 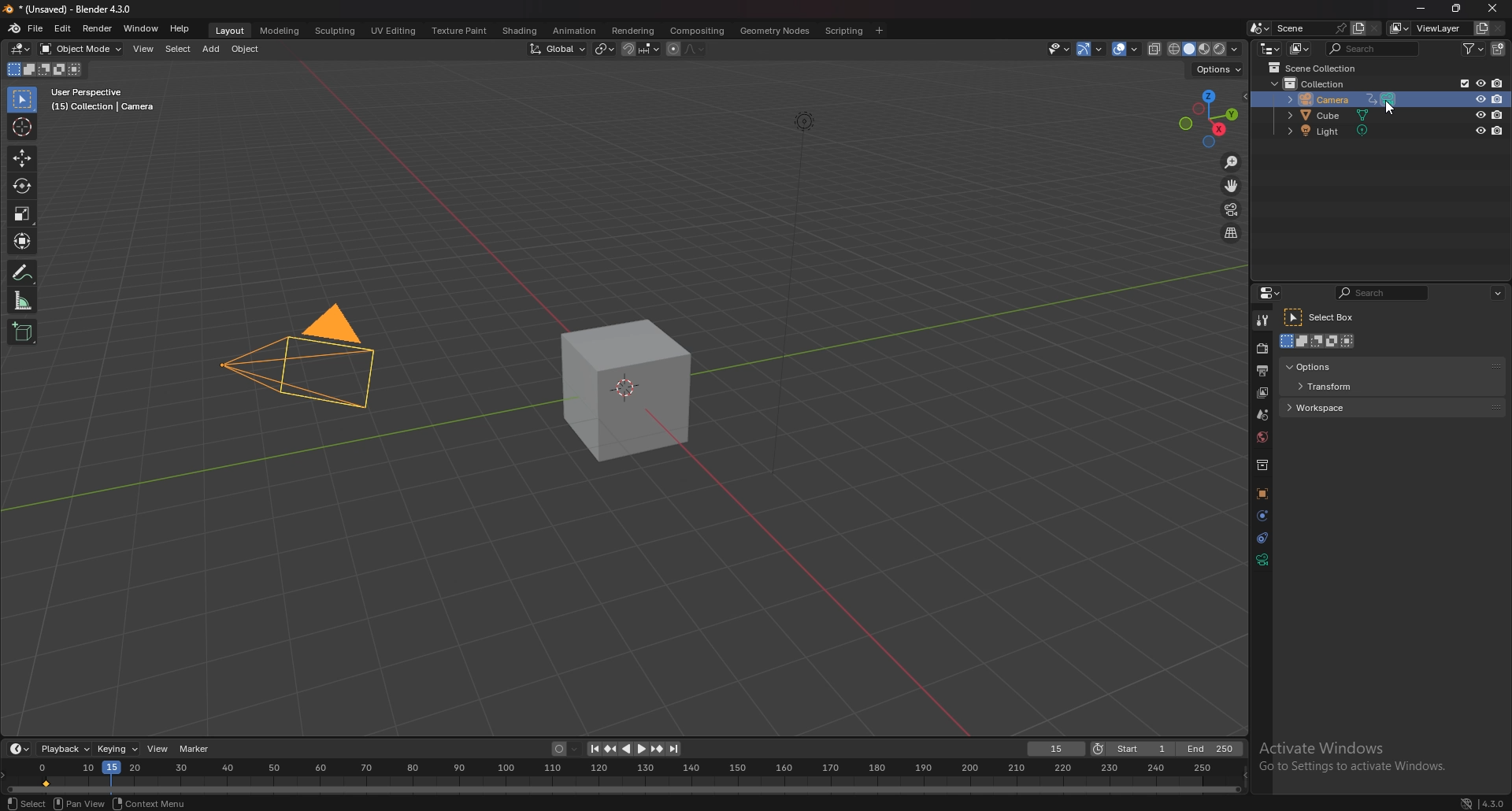 What do you see at coordinates (1271, 292) in the screenshot?
I see `editor type` at bounding box center [1271, 292].